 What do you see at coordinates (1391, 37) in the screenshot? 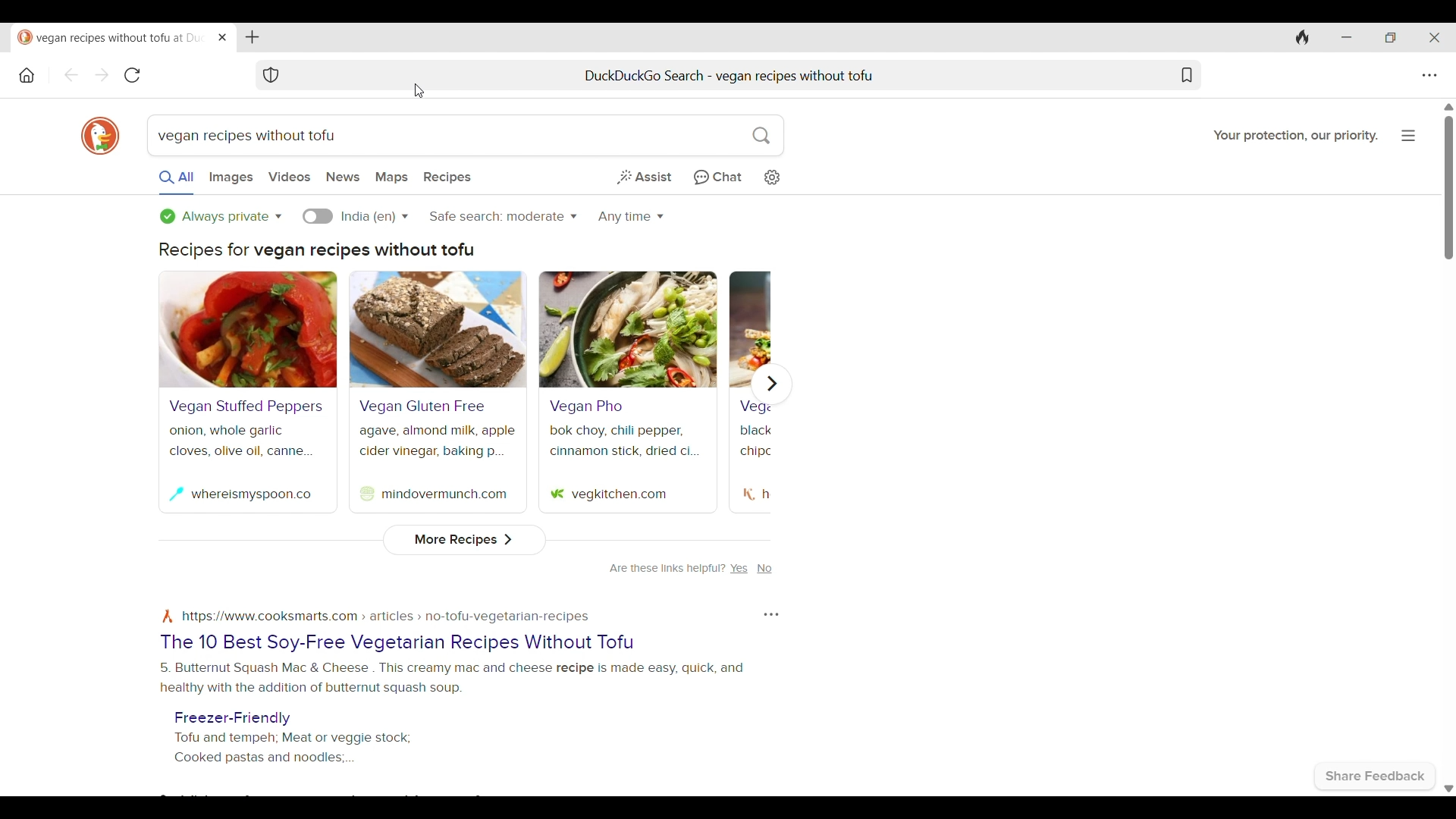
I see `Show interface in a smaller tab` at bounding box center [1391, 37].